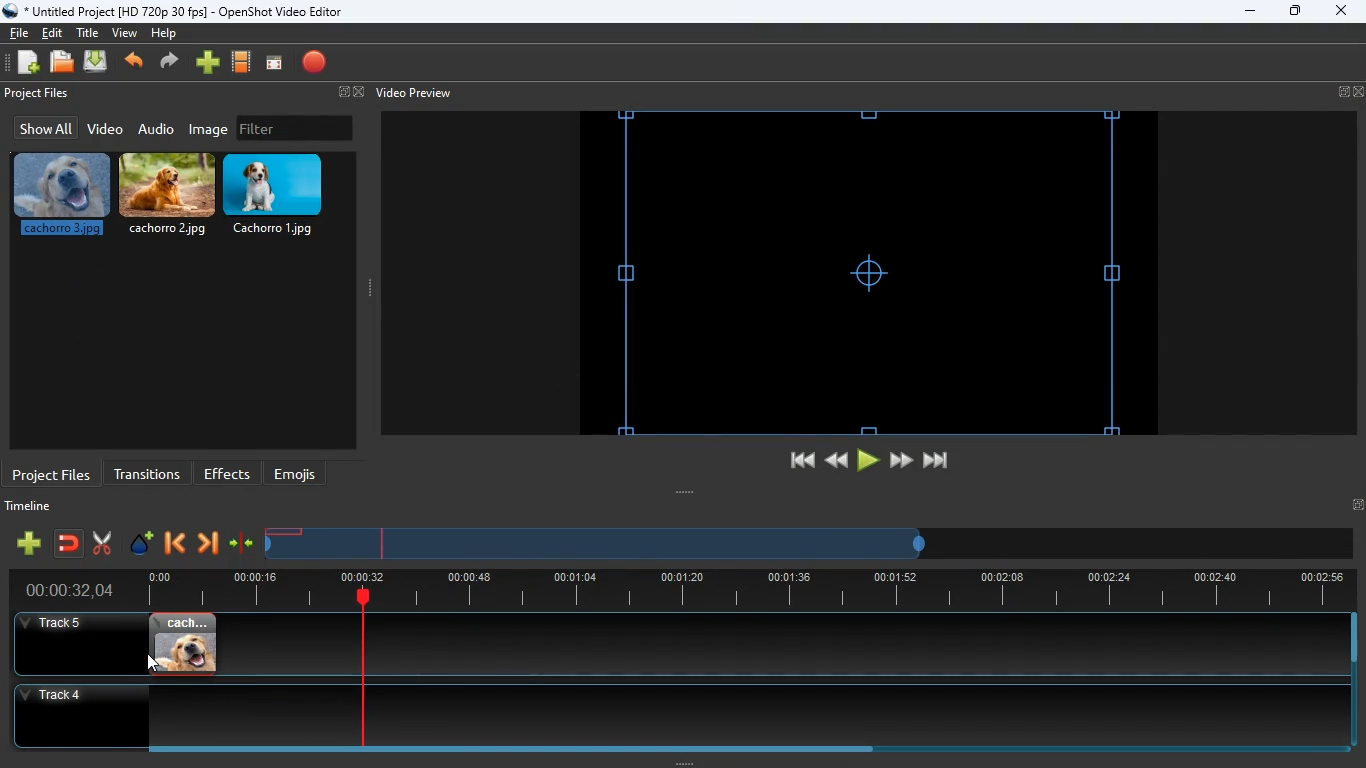 The height and width of the screenshot is (768, 1366). I want to click on Cursor, so click(154, 663).